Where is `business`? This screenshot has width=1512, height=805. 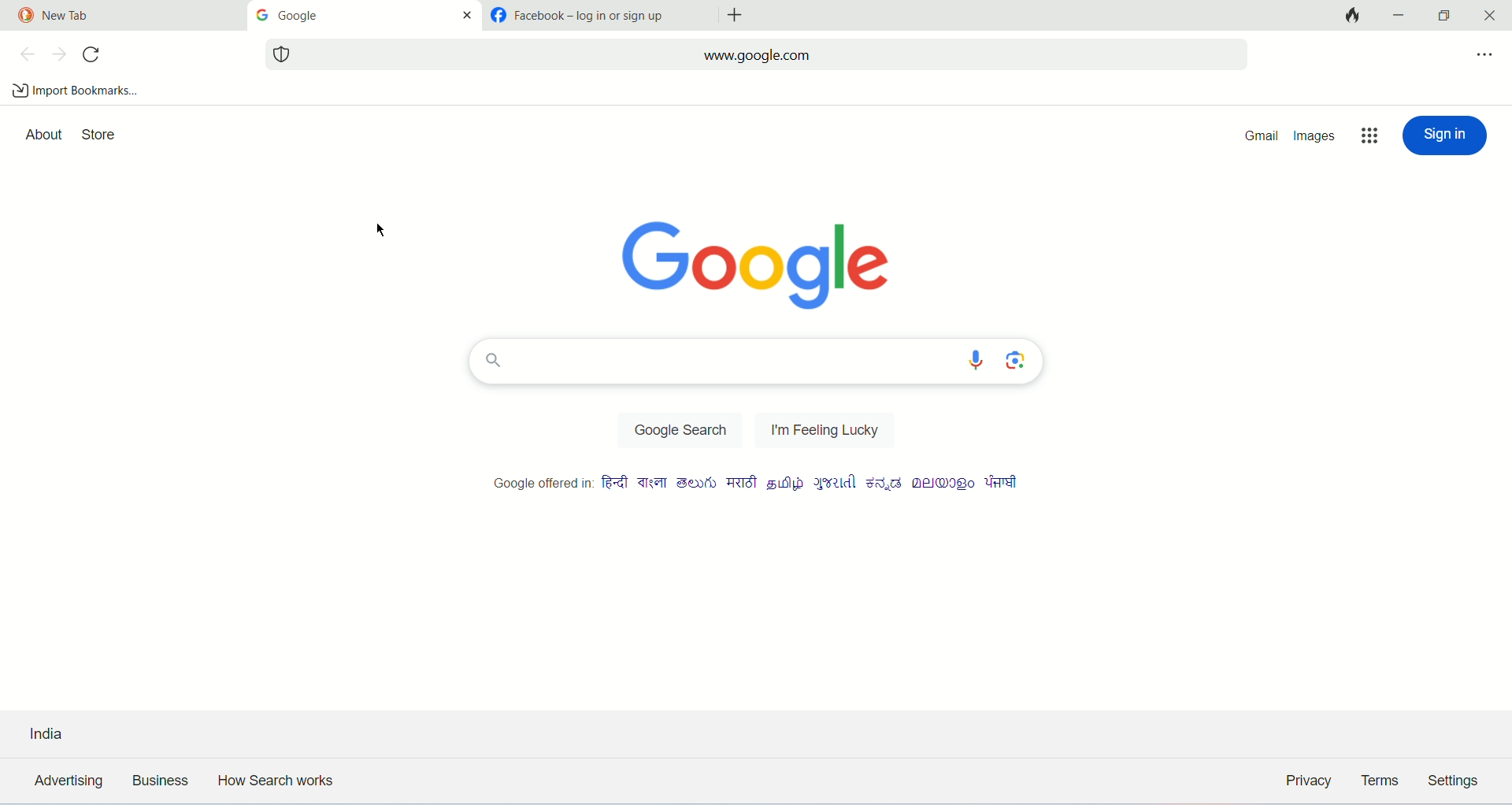 business is located at coordinates (157, 781).